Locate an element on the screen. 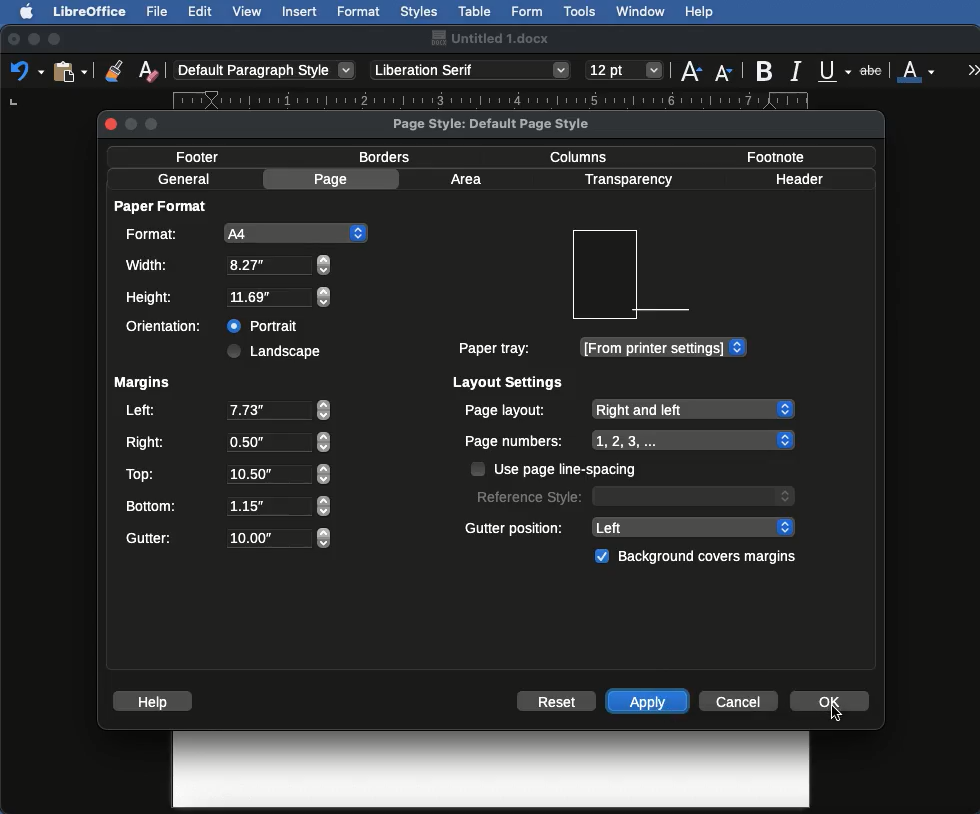 The width and height of the screenshot is (980, 814). left tab is located at coordinates (11, 105).